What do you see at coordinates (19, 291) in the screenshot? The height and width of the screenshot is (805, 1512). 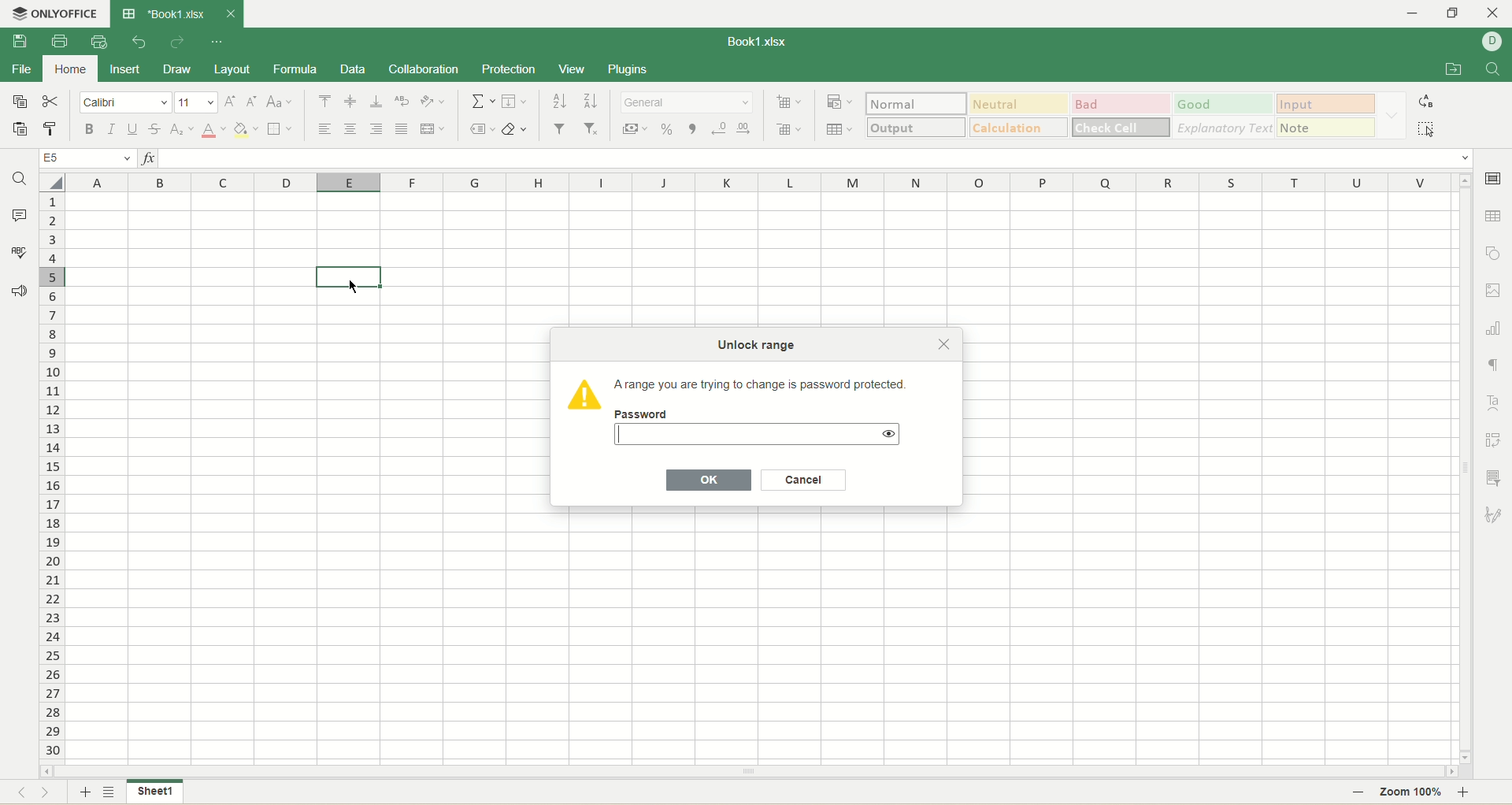 I see `feedback and support` at bounding box center [19, 291].